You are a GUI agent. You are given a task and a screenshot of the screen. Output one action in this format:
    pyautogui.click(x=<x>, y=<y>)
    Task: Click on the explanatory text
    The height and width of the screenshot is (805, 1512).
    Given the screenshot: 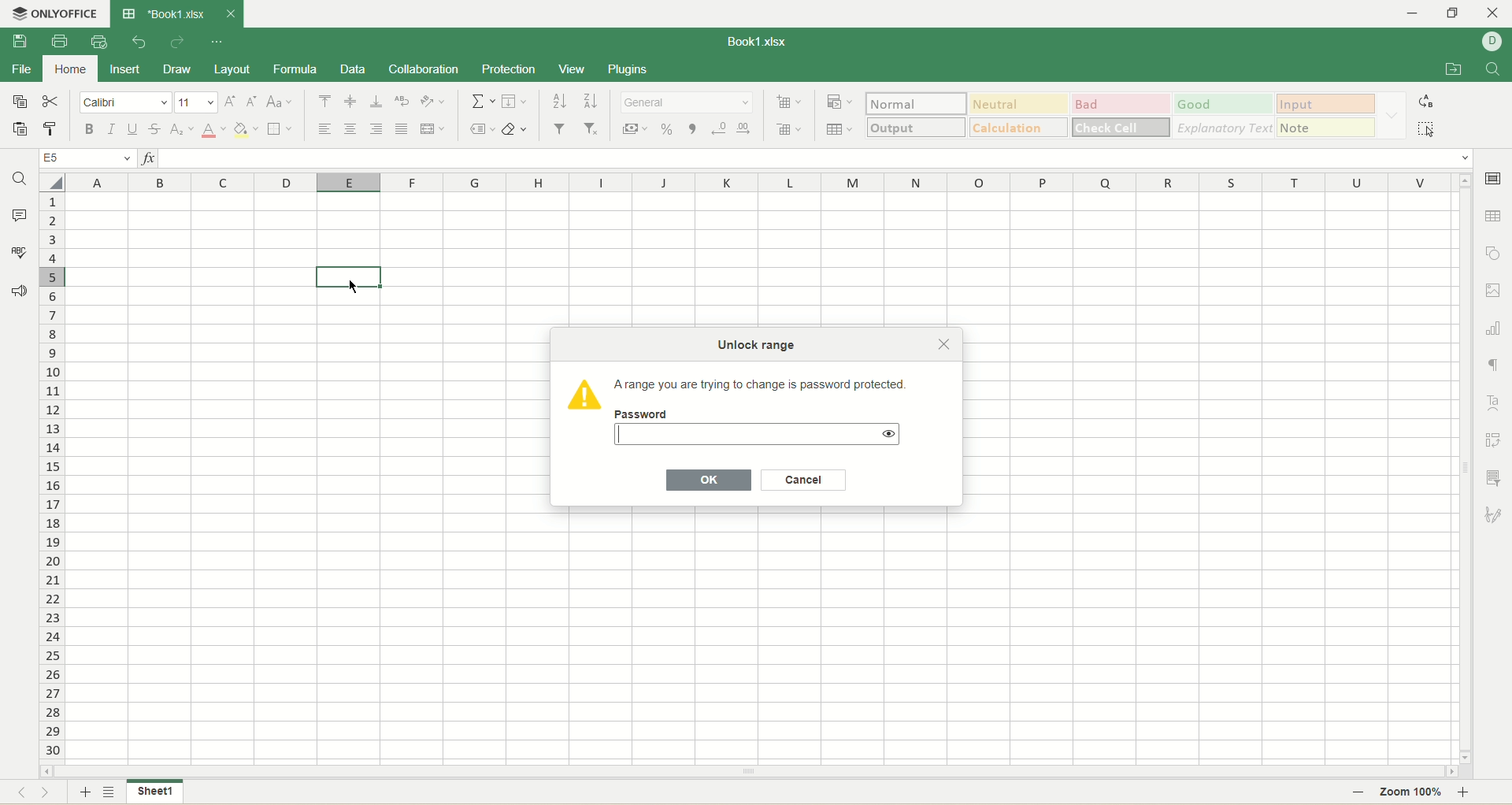 What is the action you would take?
    pyautogui.click(x=1224, y=129)
    